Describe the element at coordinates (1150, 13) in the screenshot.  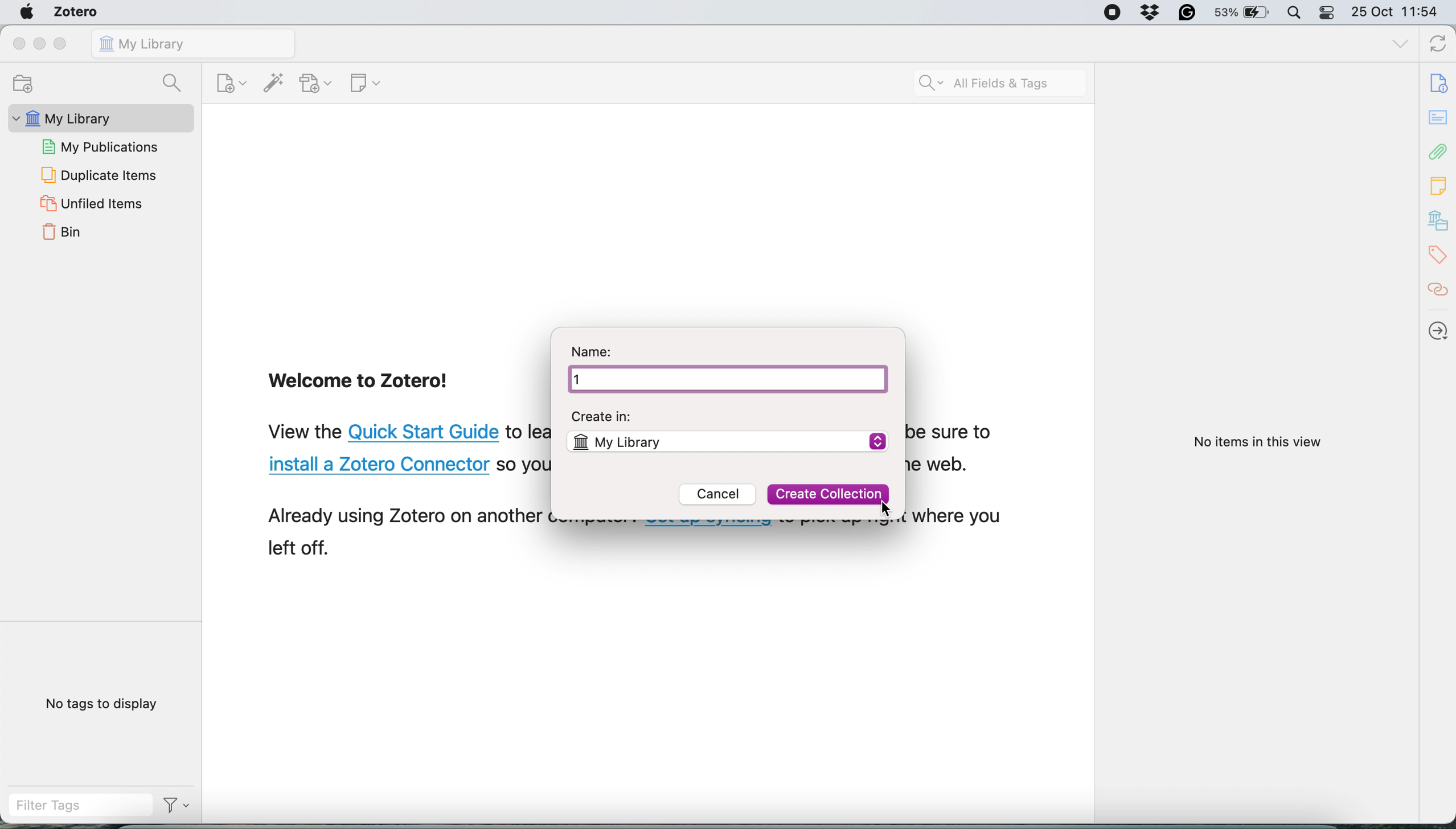
I see `dropbox` at that location.